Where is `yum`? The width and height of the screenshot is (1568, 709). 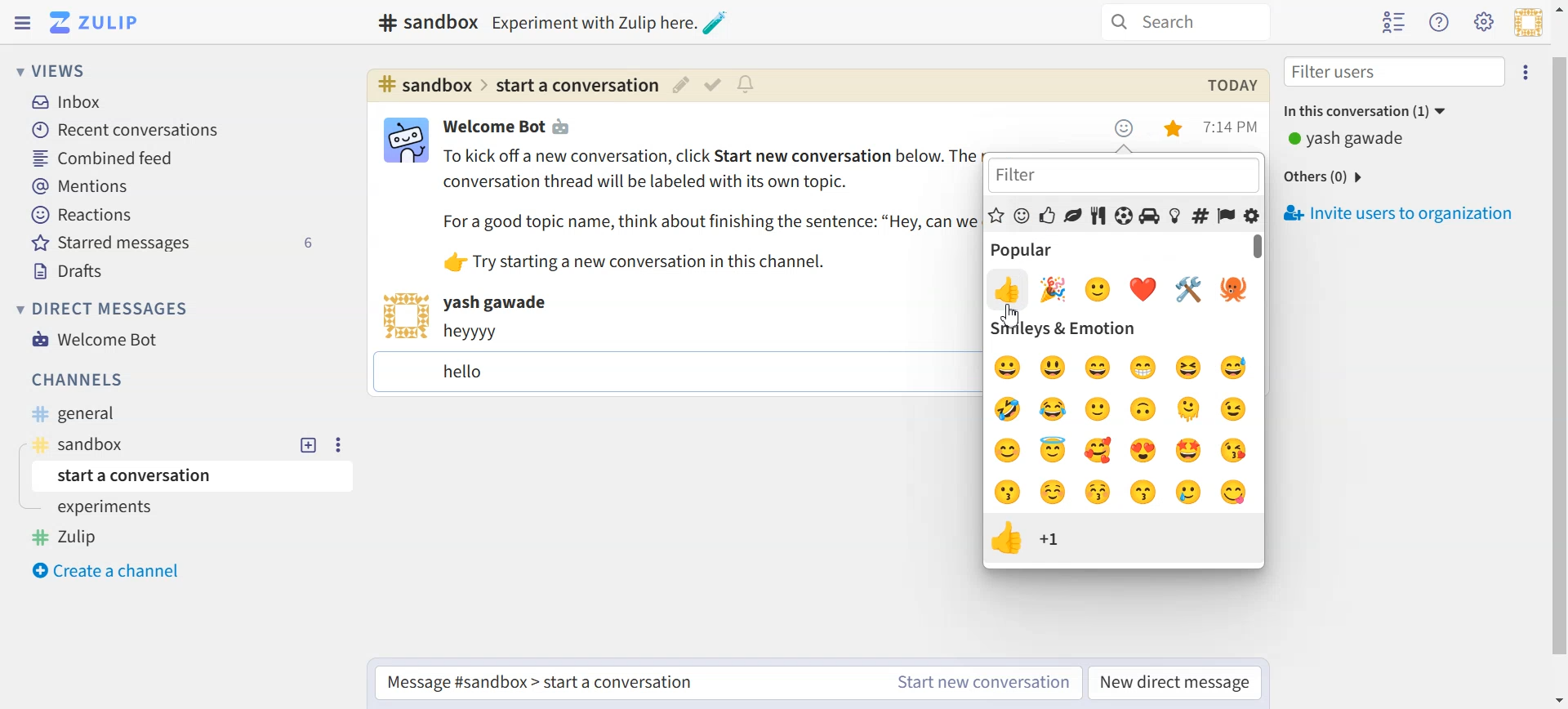 yum is located at coordinates (1232, 494).